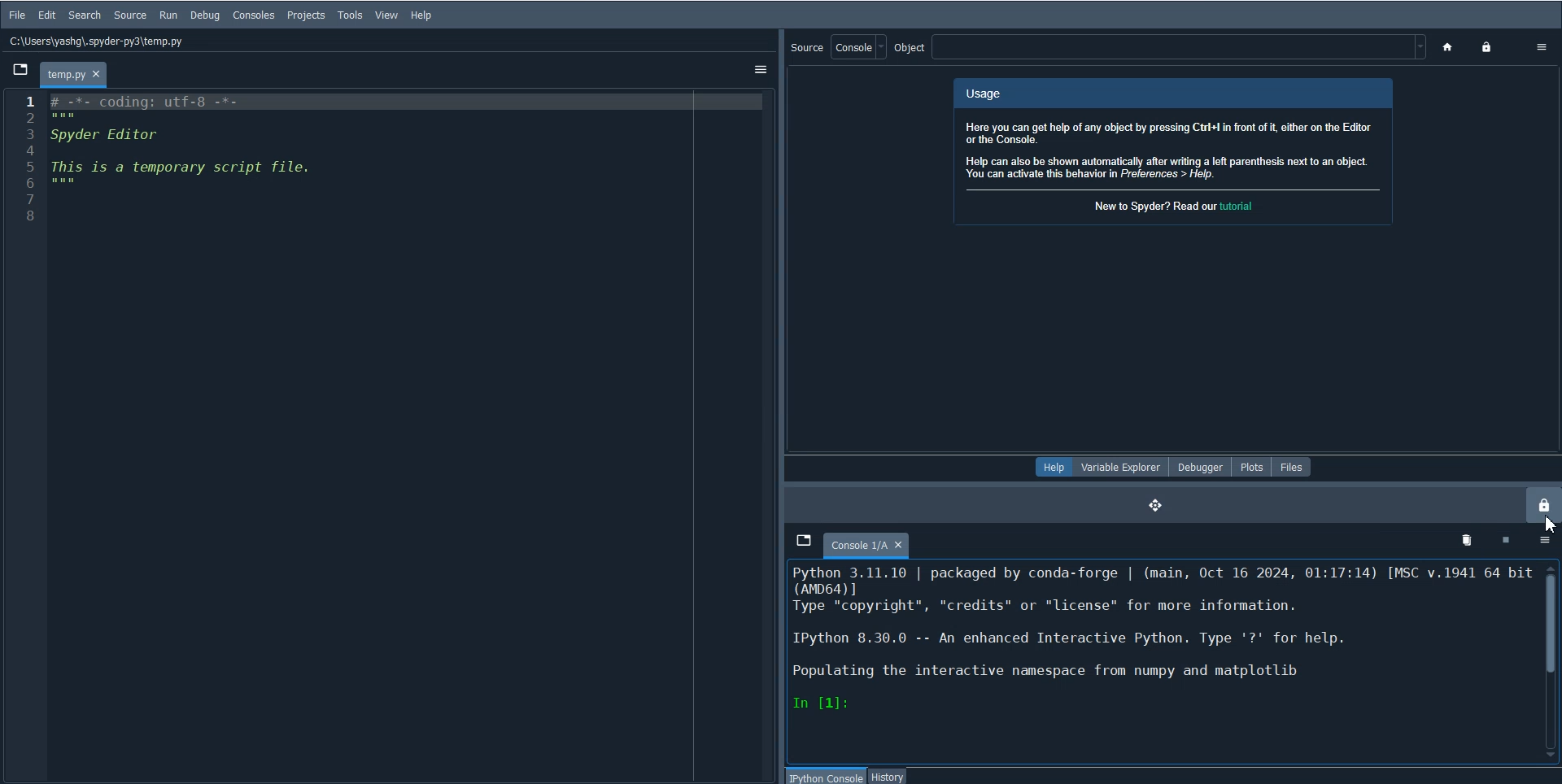  Describe the element at coordinates (1543, 504) in the screenshot. I see `Lock` at that location.